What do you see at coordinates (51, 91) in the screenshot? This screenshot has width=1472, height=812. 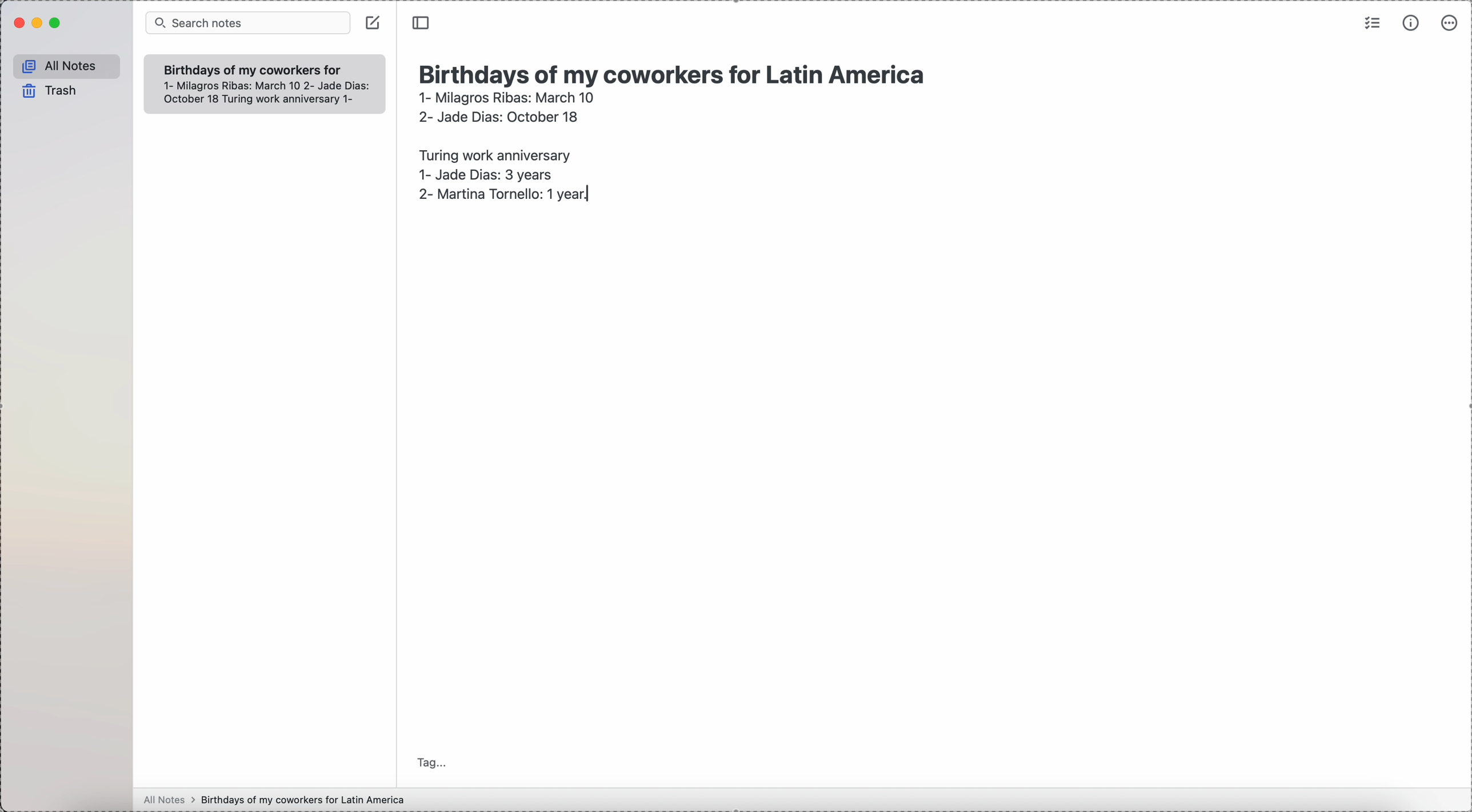 I see `trash` at bounding box center [51, 91].